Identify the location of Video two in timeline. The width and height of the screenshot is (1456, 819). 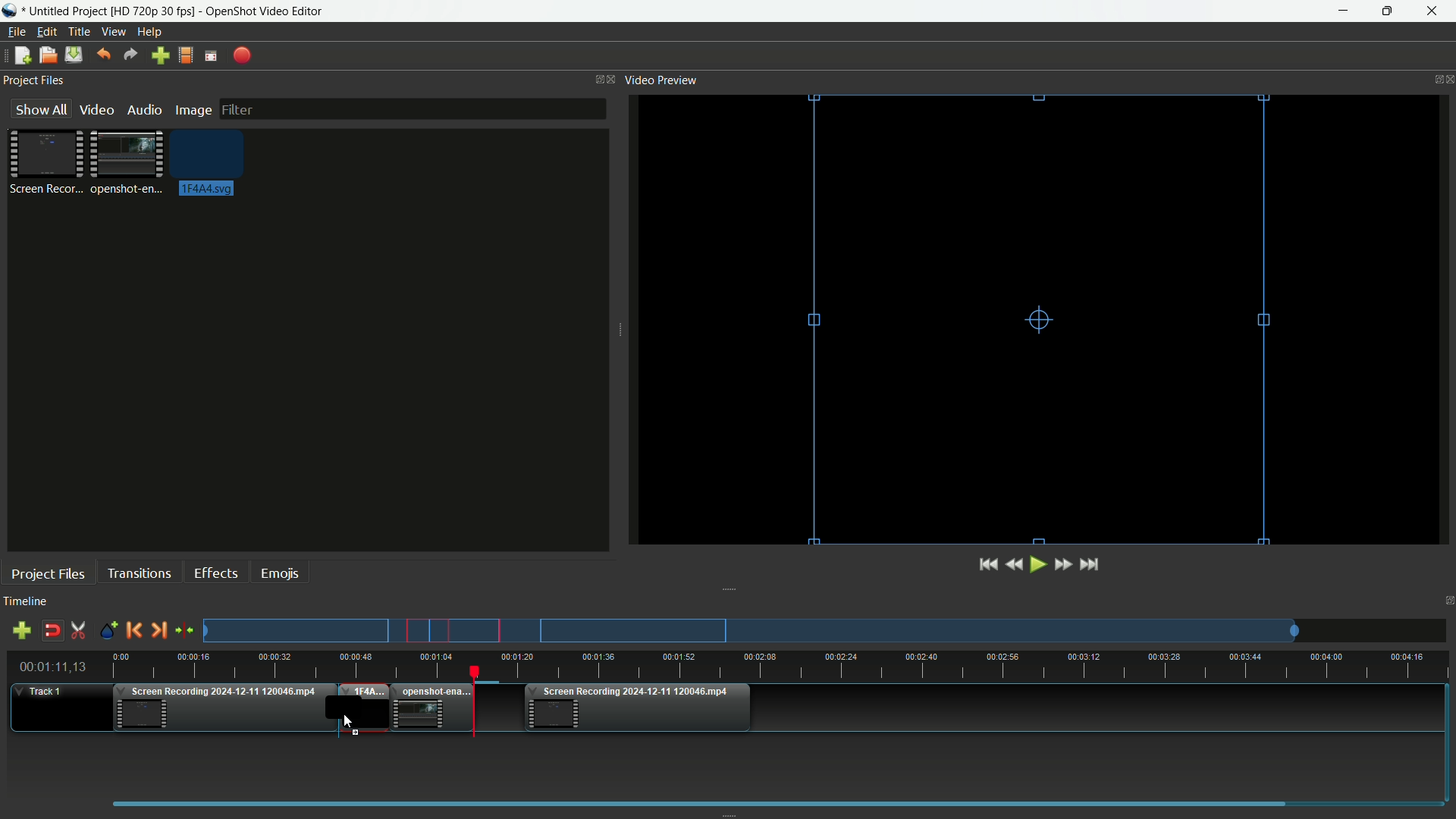
(431, 708).